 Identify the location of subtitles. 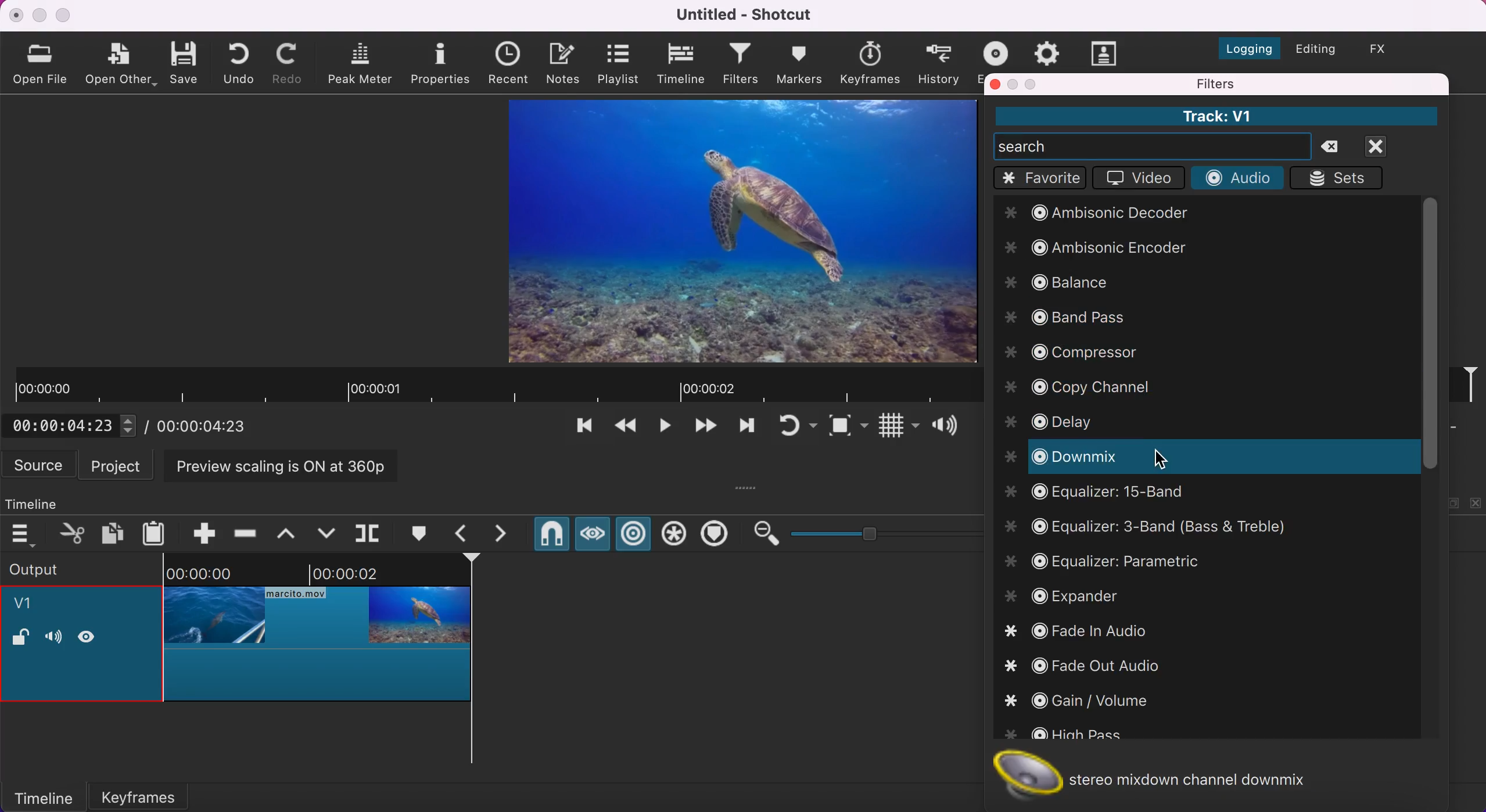
(1105, 53).